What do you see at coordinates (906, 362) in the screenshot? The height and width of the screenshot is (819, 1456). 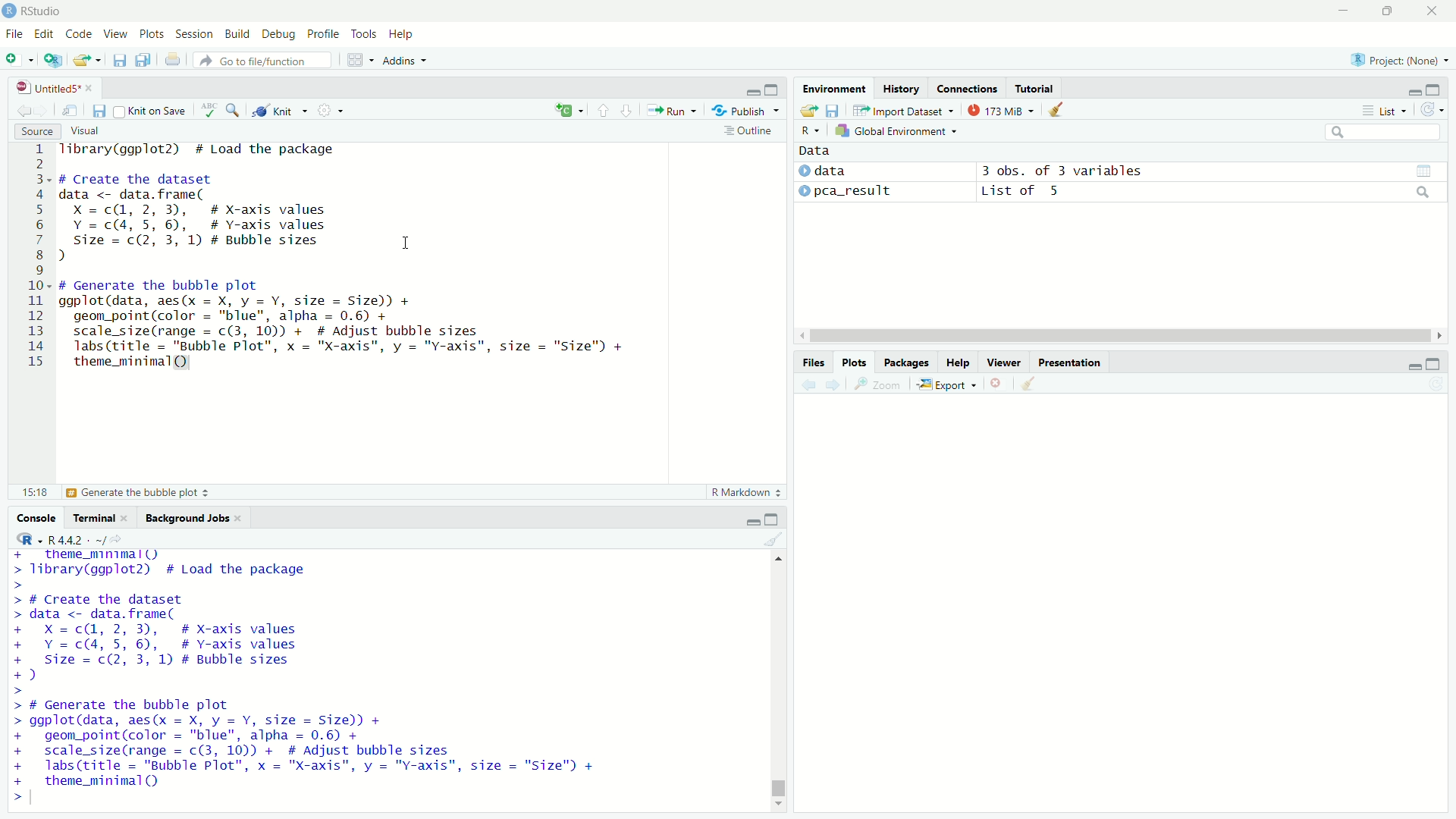 I see `packages` at bounding box center [906, 362].